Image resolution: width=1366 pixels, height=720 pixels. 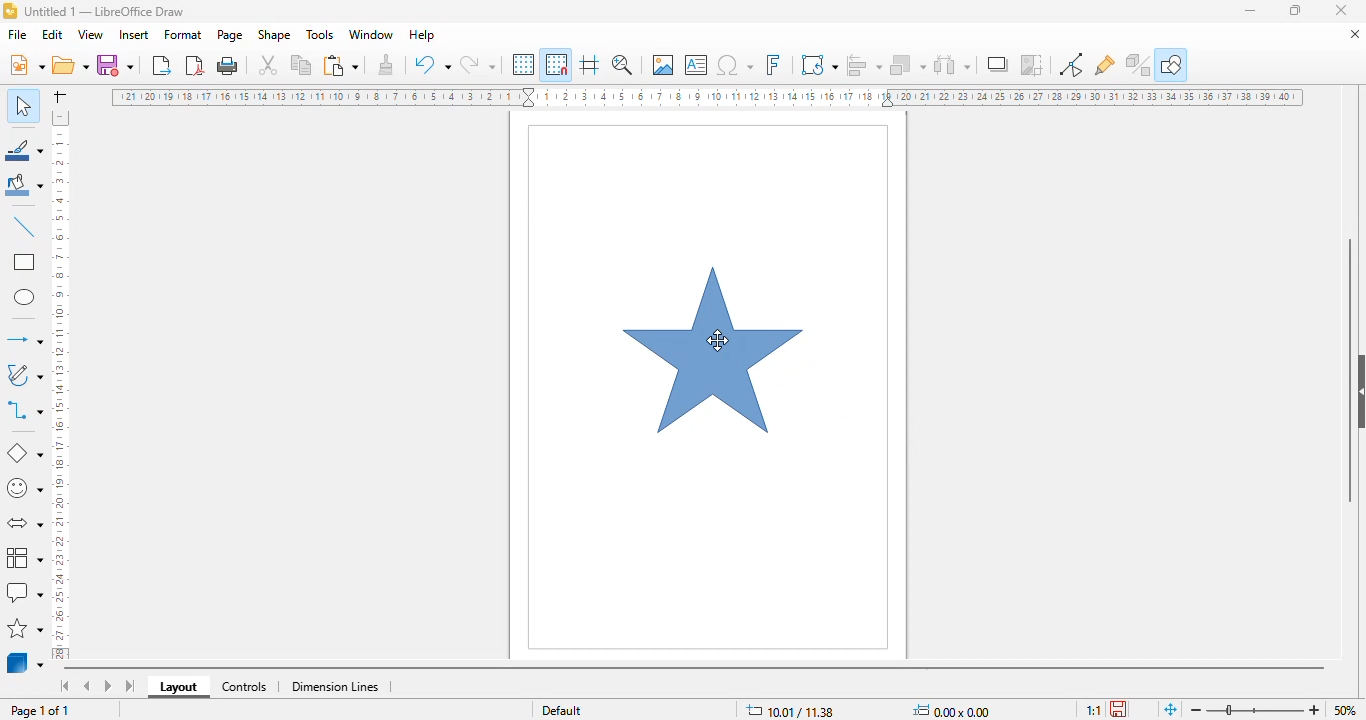 I want to click on scroll to first sheet, so click(x=64, y=686).